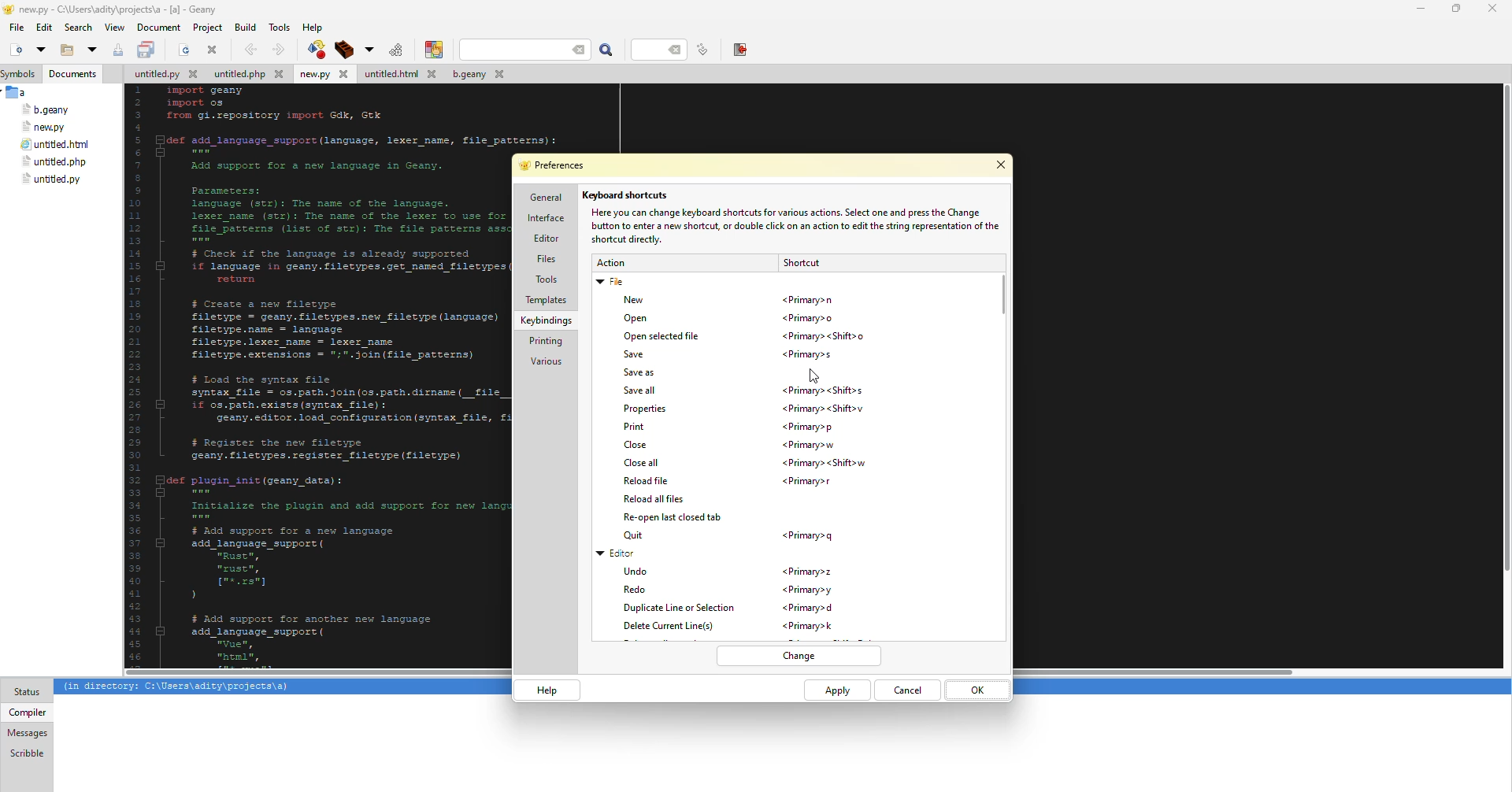 The width and height of the screenshot is (1512, 792). Describe the element at coordinates (677, 609) in the screenshot. I see `duplicate` at that location.